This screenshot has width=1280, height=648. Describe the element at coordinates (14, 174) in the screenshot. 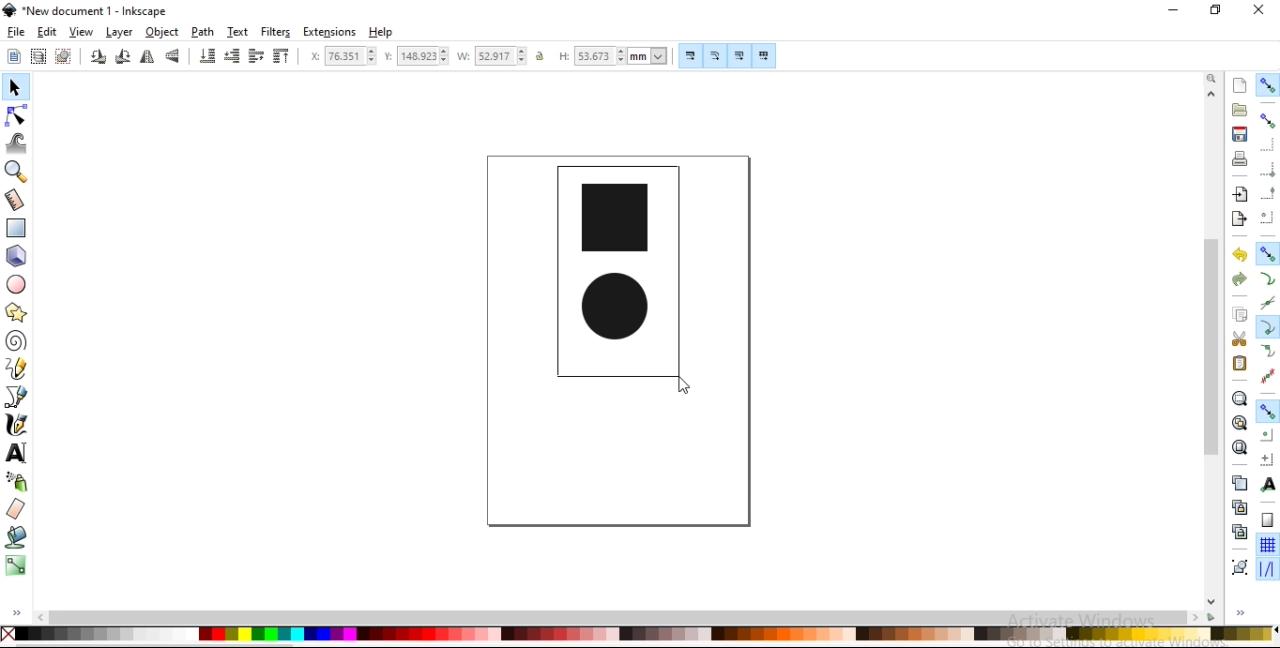

I see `zoom in or out` at that location.